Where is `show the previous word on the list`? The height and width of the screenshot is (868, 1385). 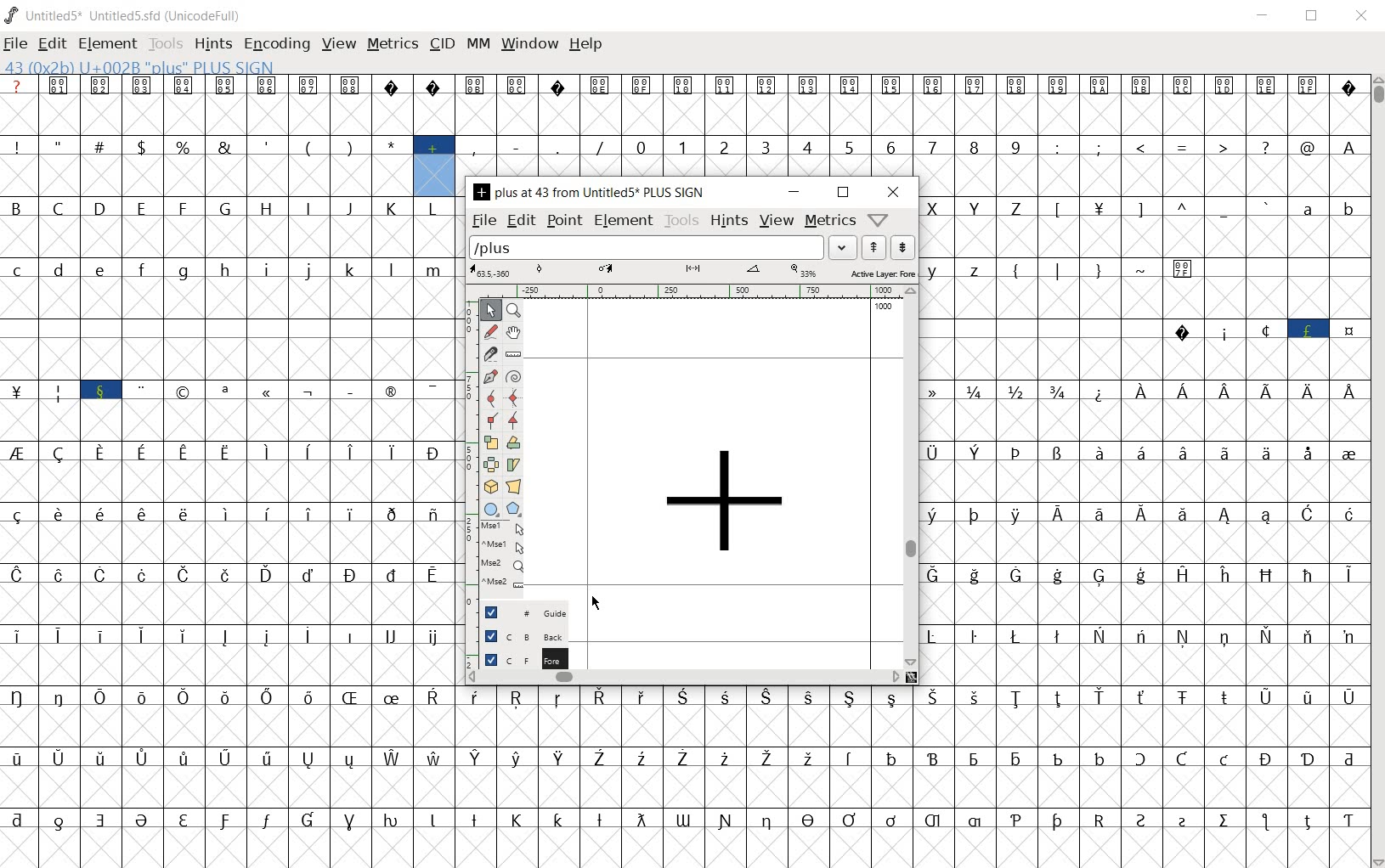
show the previous word on the list is located at coordinates (904, 248).